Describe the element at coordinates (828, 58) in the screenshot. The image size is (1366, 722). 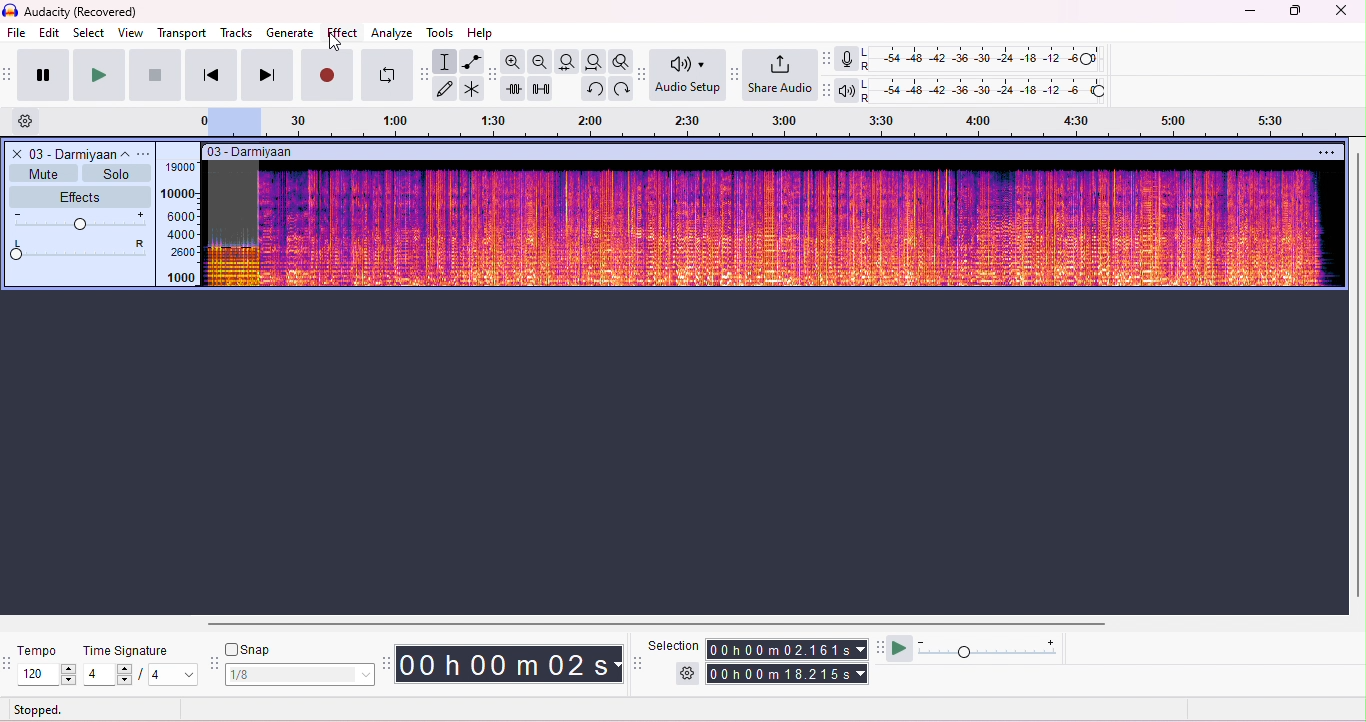
I see `record meter toolbar` at that location.